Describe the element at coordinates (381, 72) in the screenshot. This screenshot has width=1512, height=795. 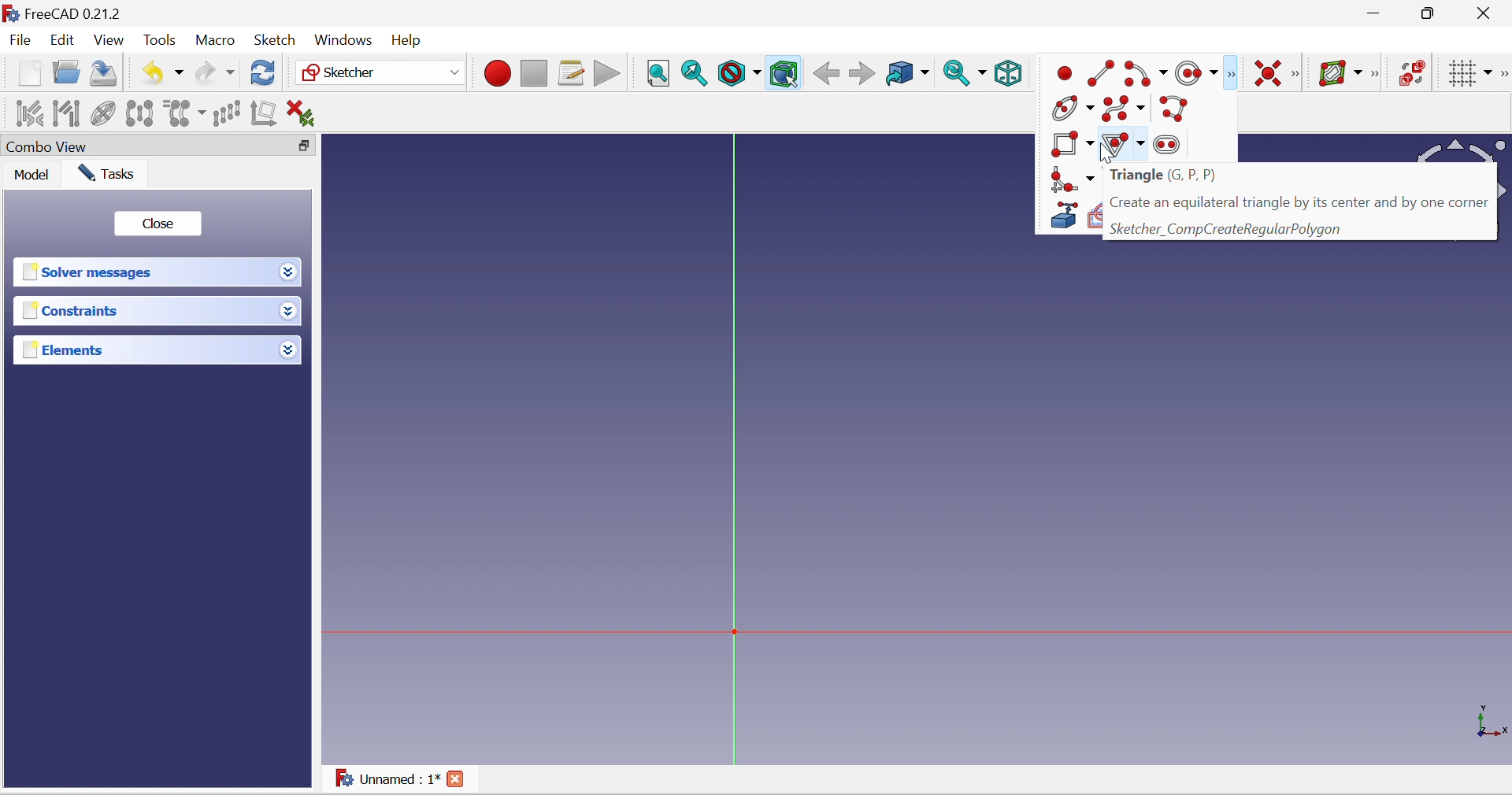
I see `Sketcher` at that location.